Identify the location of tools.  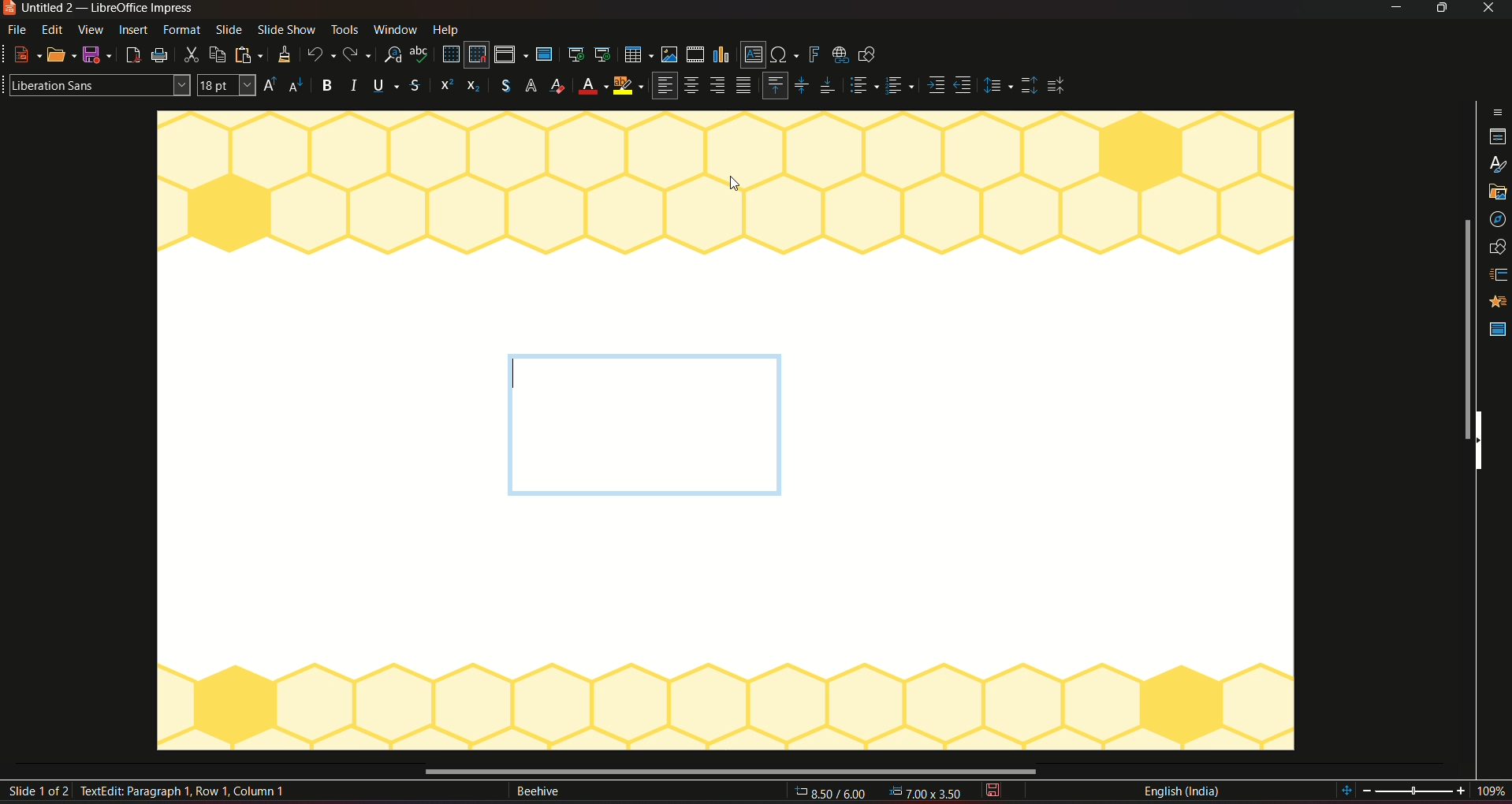
(344, 31).